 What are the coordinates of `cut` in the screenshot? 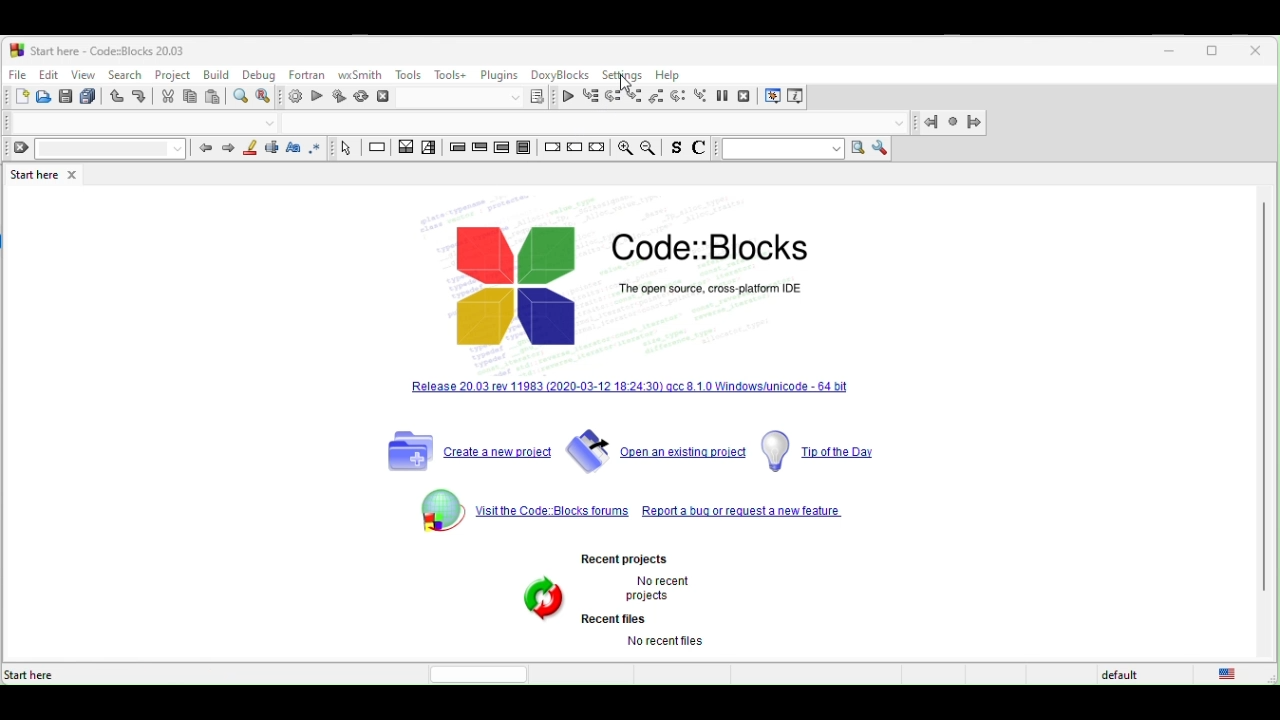 It's located at (168, 97).